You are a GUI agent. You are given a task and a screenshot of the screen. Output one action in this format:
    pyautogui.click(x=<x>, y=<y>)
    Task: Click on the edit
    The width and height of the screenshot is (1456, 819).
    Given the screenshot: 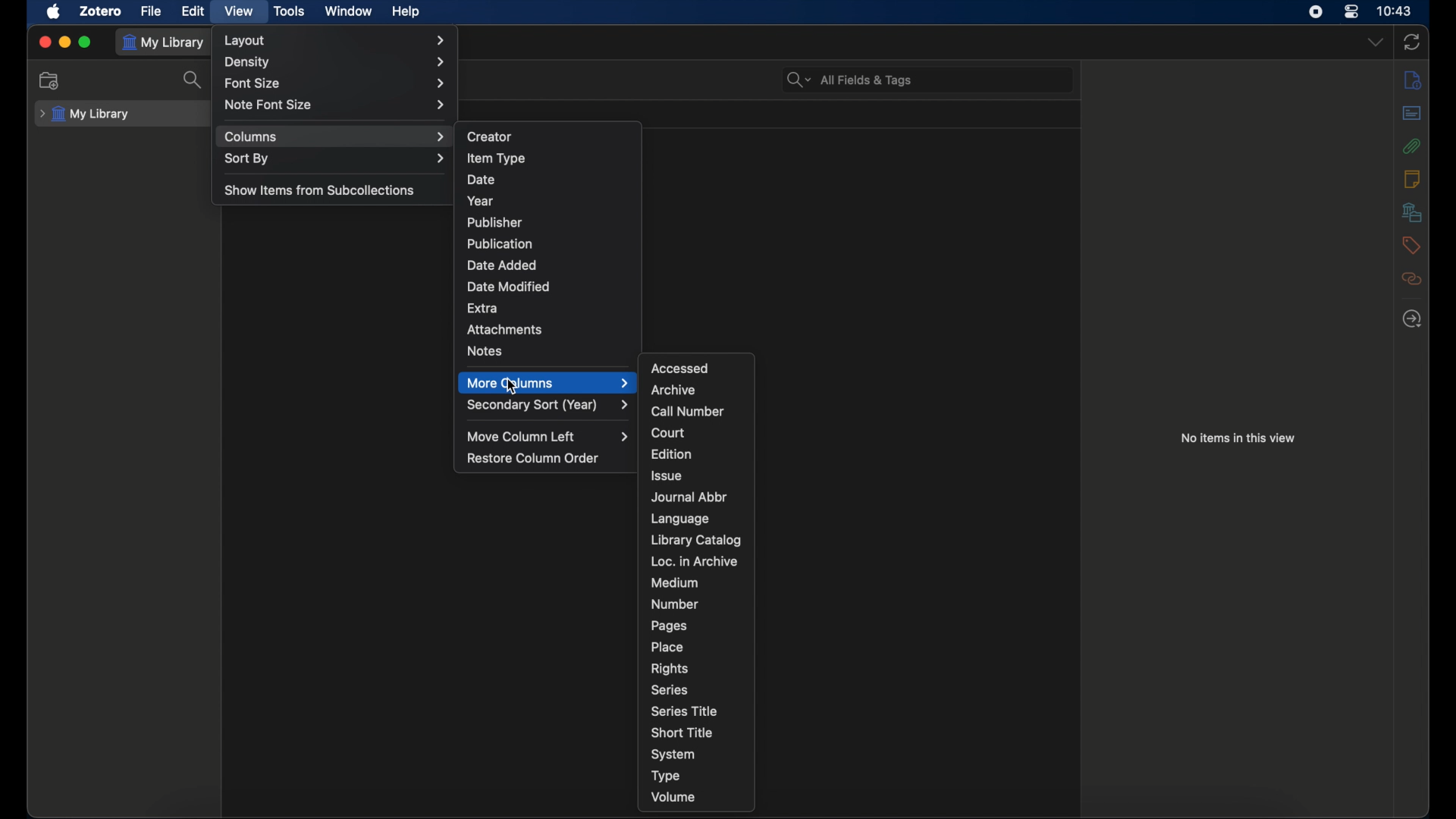 What is the action you would take?
    pyautogui.click(x=195, y=12)
    